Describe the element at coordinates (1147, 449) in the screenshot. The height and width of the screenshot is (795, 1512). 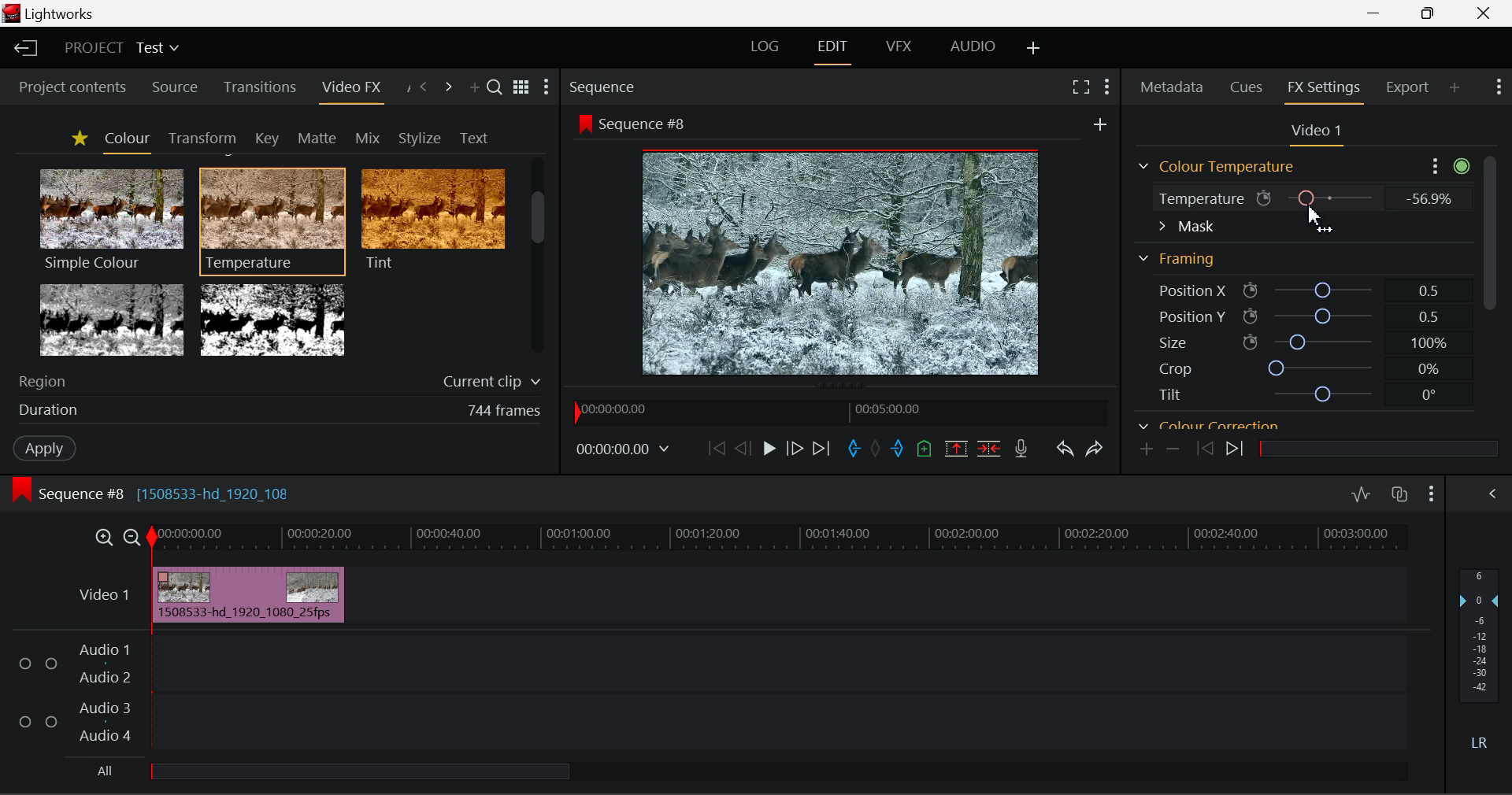
I see `Add keyframe` at that location.